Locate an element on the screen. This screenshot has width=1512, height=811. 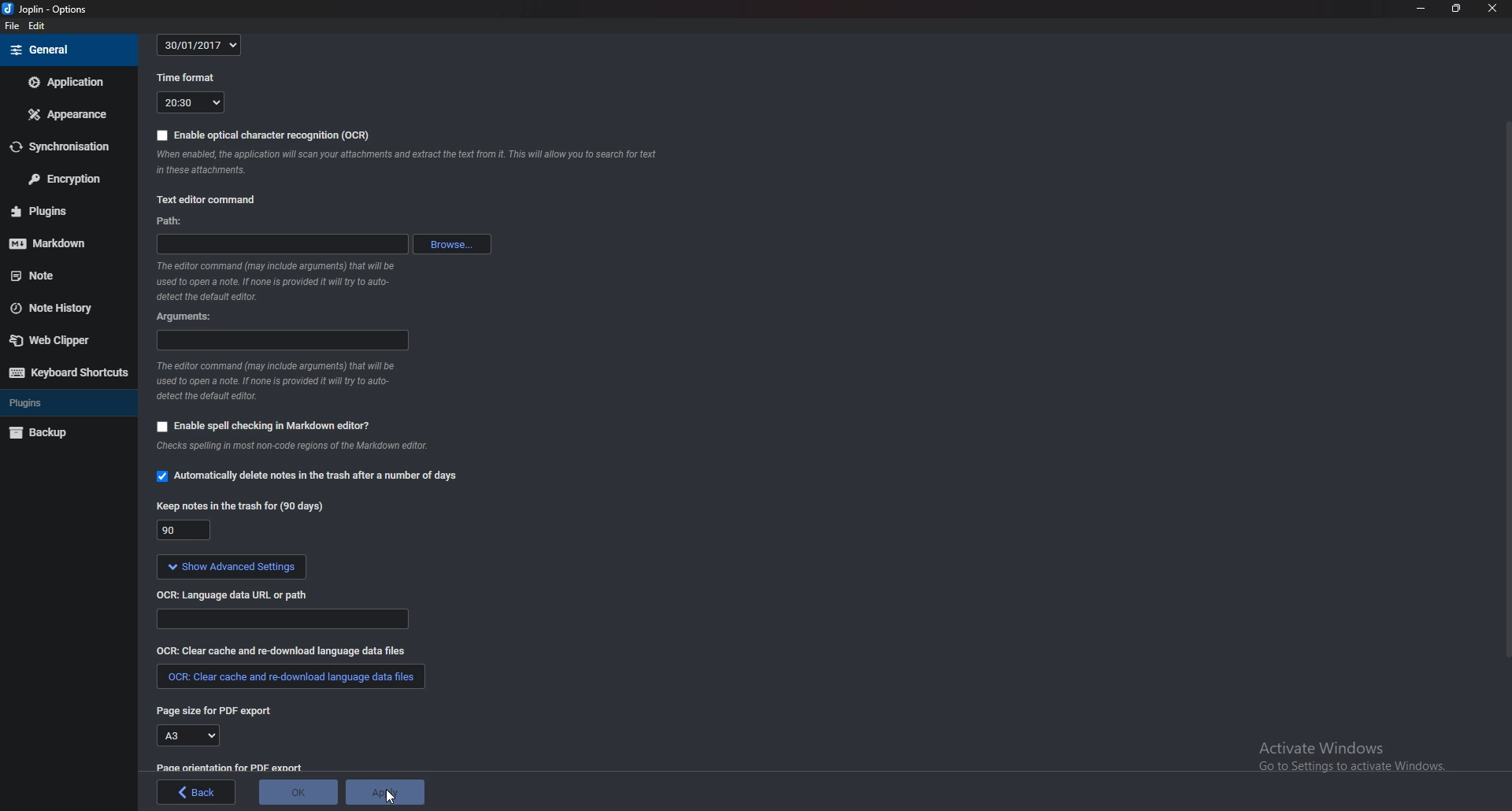
30/01/2017 is located at coordinates (198, 46).